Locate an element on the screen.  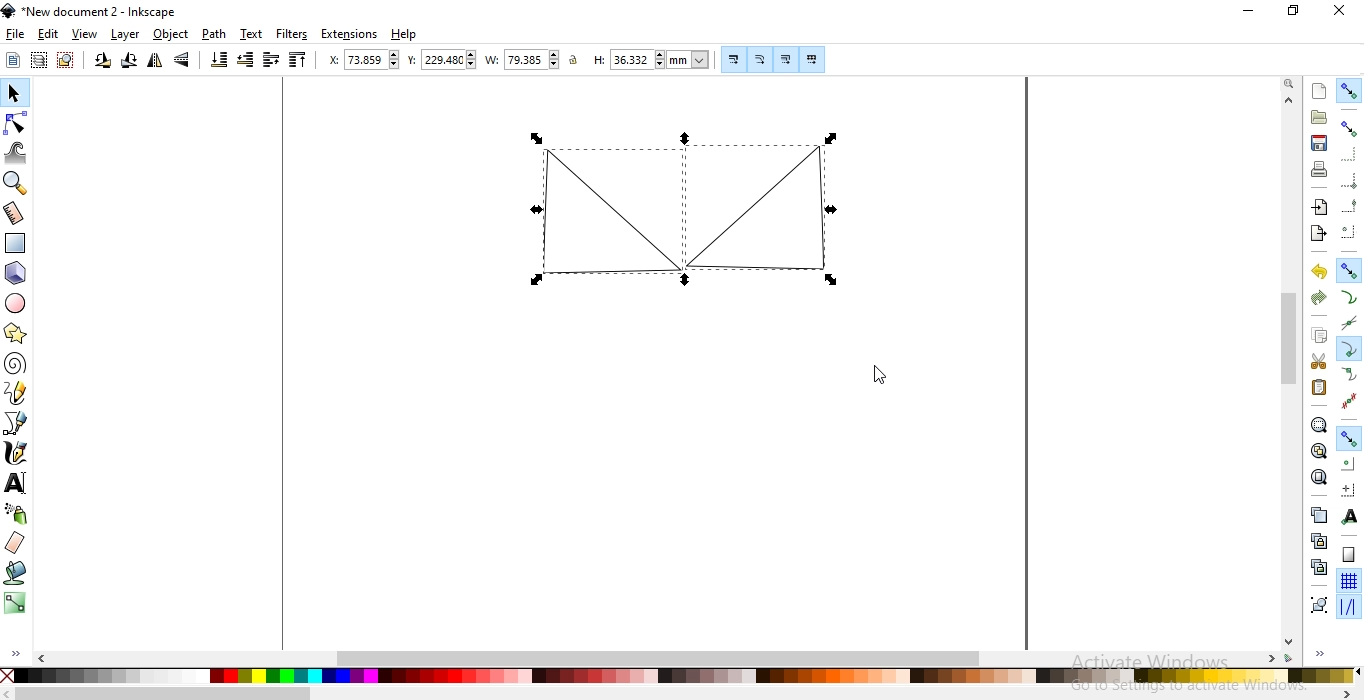
snap guide is located at coordinates (1350, 607).